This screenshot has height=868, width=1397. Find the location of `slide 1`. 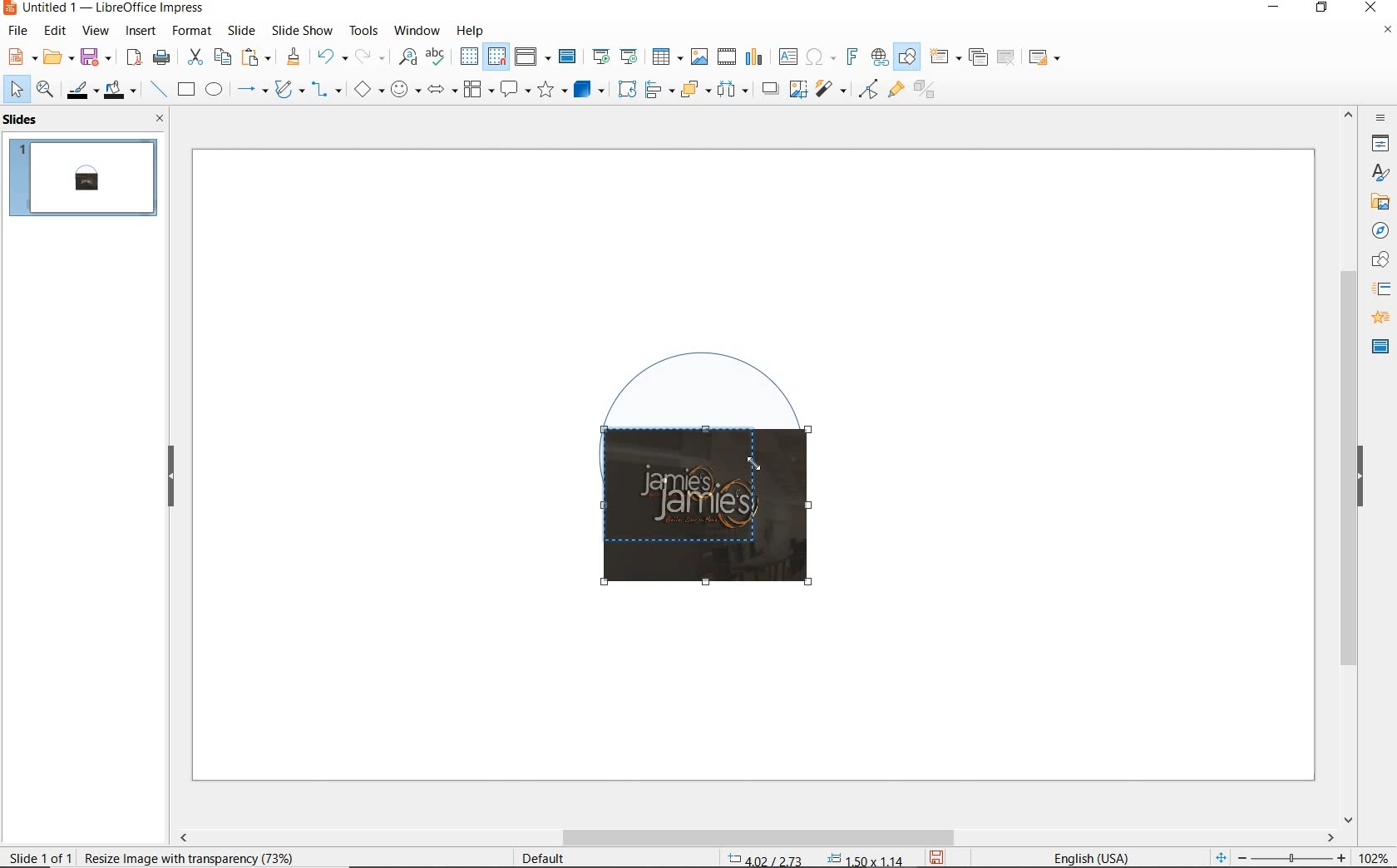

slide 1 is located at coordinates (86, 180).